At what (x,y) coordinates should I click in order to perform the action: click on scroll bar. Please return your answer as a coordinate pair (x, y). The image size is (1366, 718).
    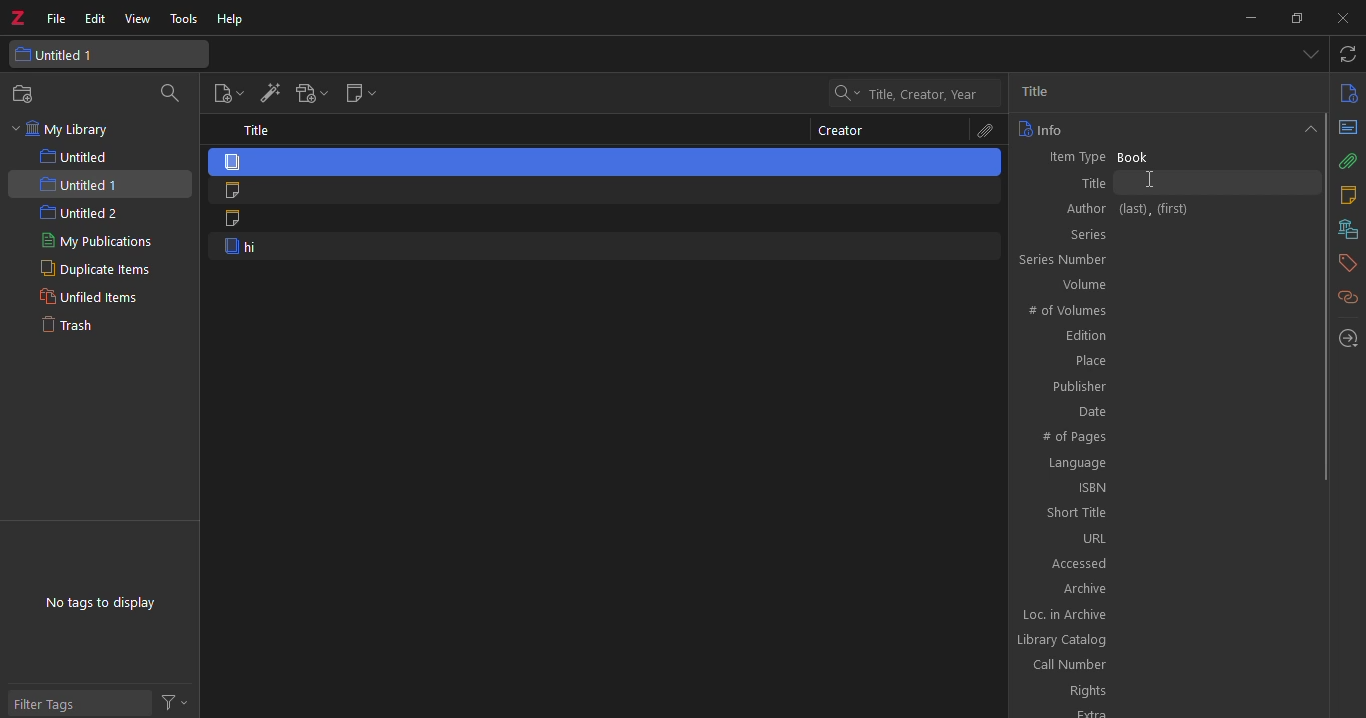
    Looking at the image, I should click on (1323, 295).